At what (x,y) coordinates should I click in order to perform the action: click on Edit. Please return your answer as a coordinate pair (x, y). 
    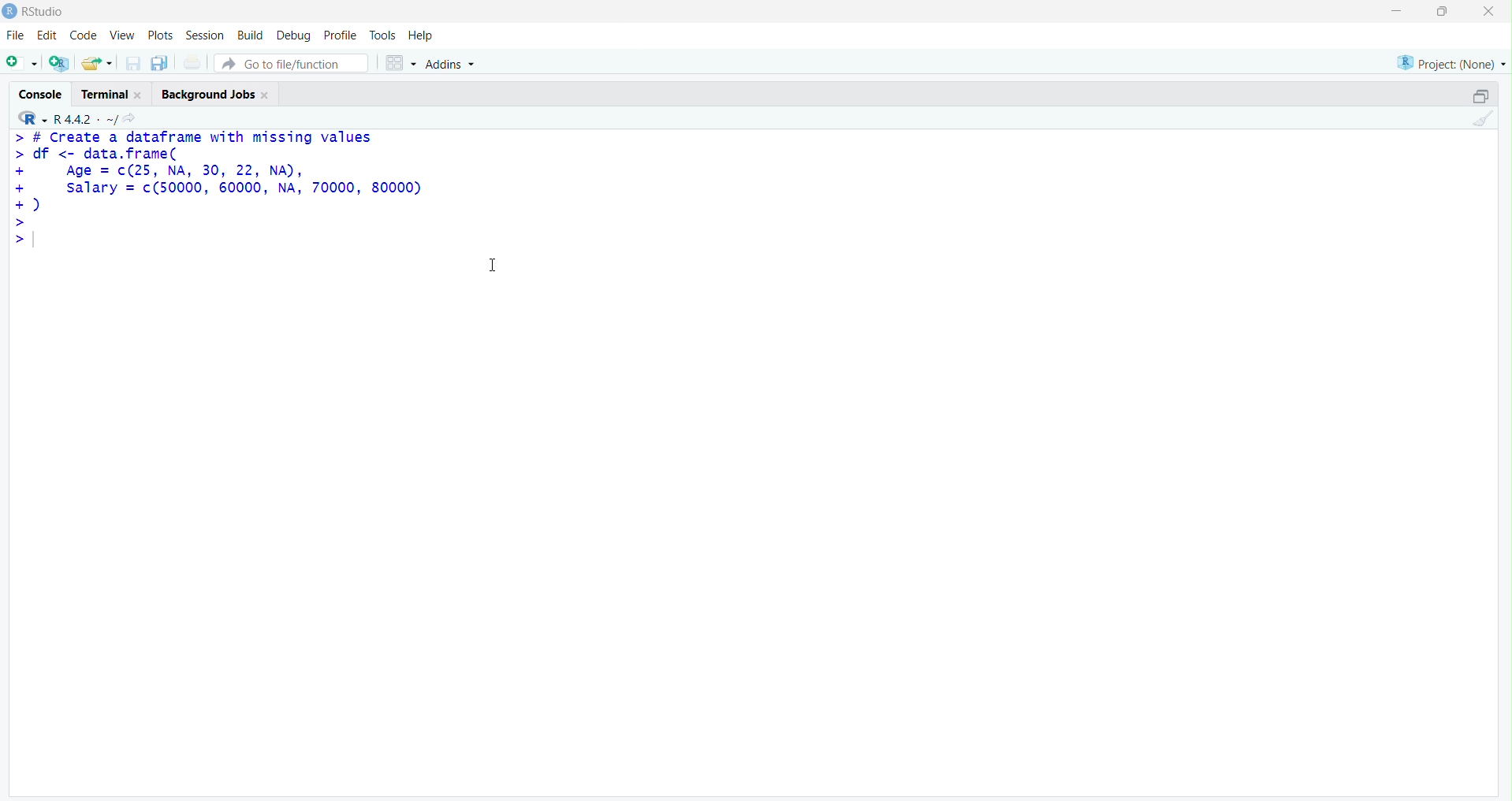
    Looking at the image, I should click on (48, 35).